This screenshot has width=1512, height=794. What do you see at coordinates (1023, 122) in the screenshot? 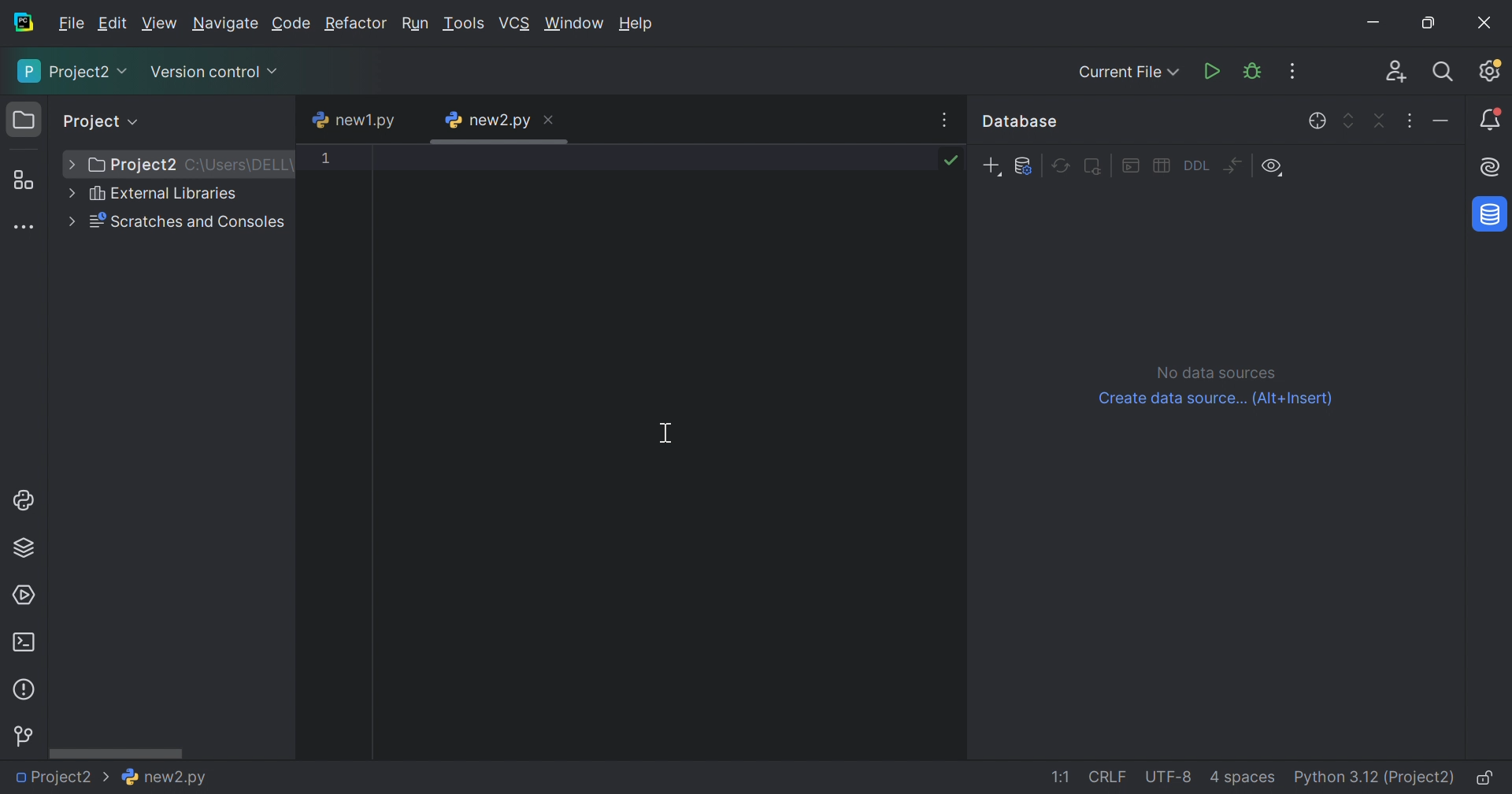
I see `Databse` at bounding box center [1023, 122].